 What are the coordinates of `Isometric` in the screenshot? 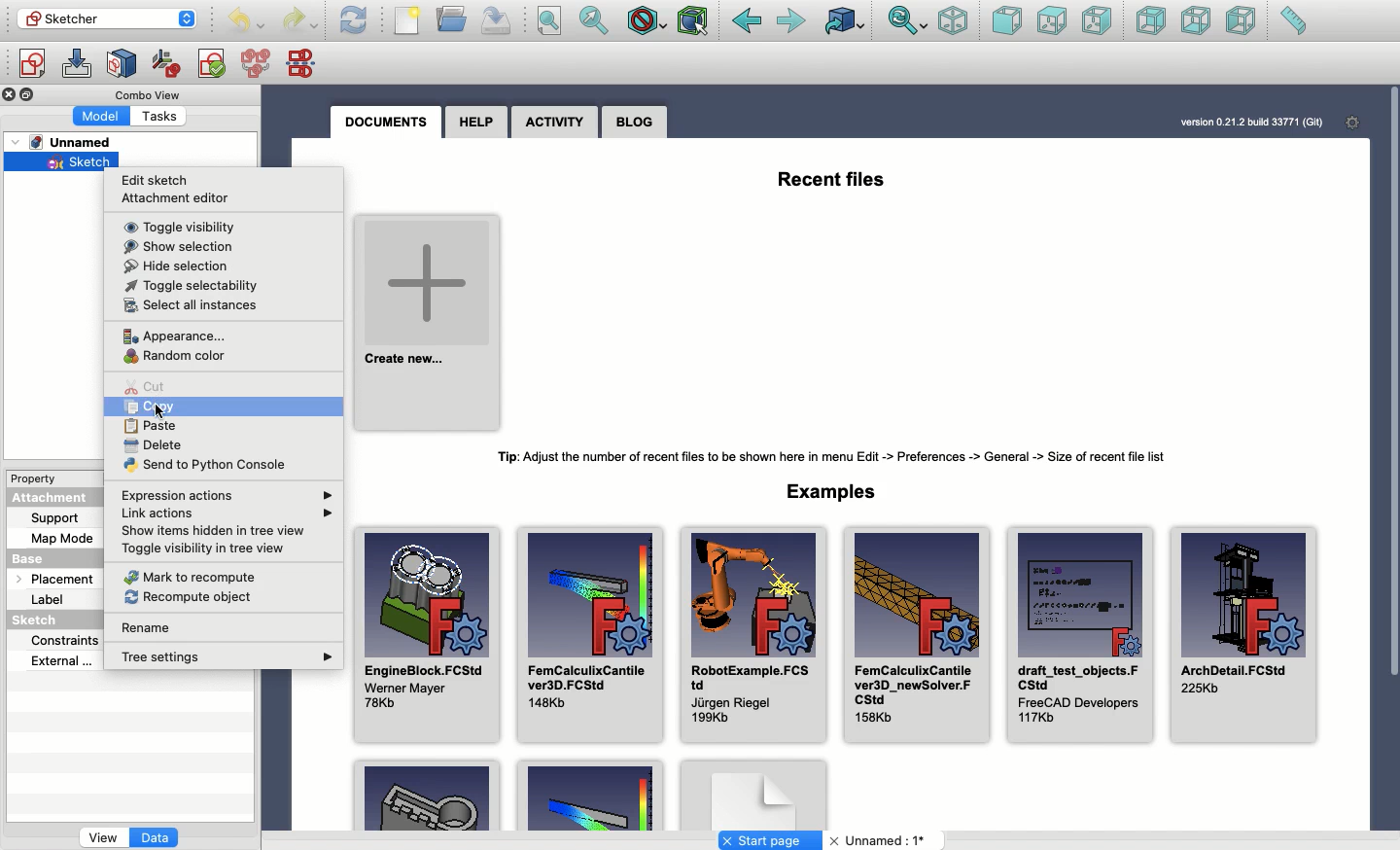 It's located at (954, 20).